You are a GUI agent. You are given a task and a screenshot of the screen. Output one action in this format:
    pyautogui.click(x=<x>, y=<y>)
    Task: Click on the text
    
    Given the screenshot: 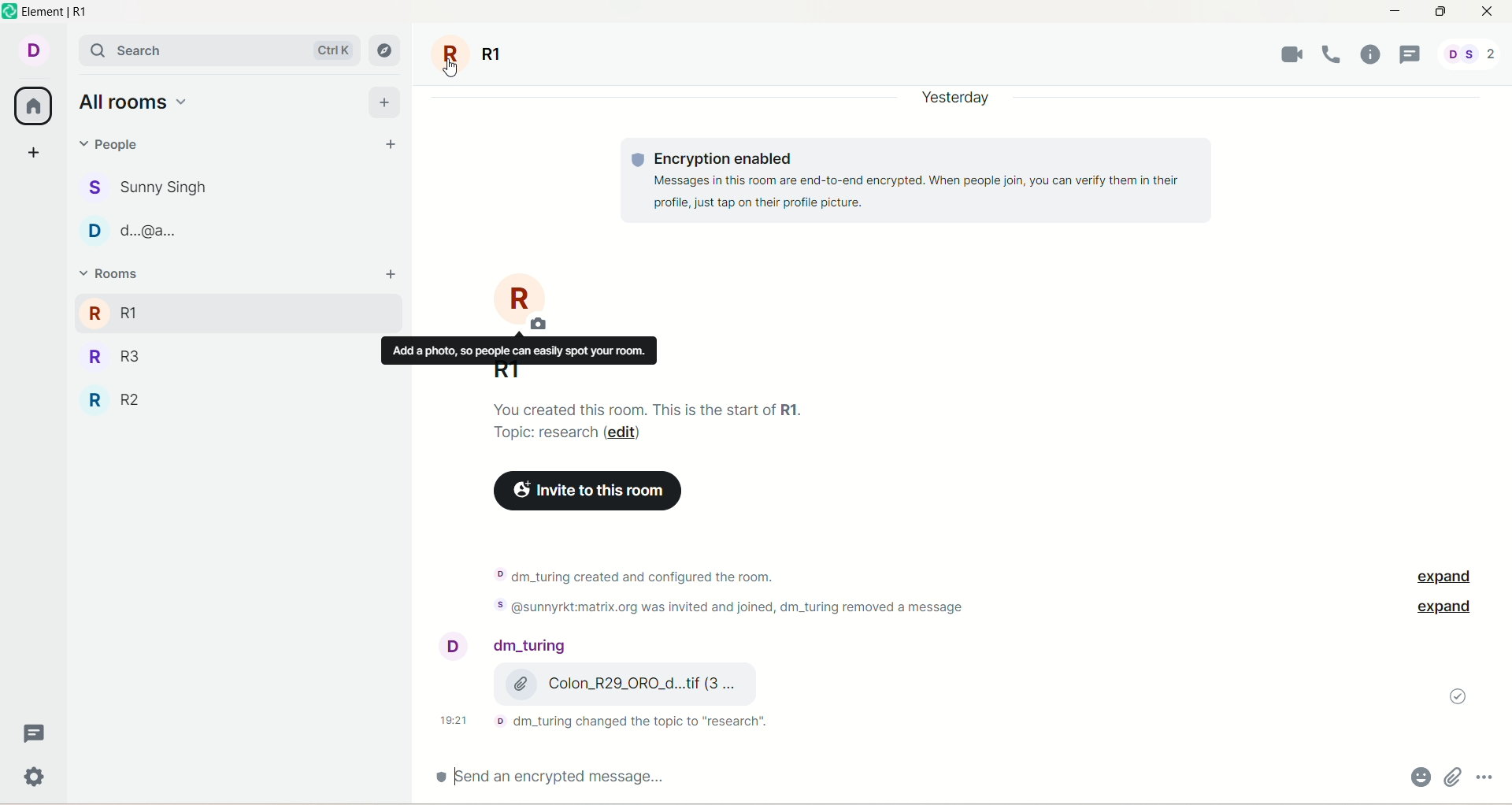 What is the action you would take?
    pyautogui.click(x=730, y=591)
    